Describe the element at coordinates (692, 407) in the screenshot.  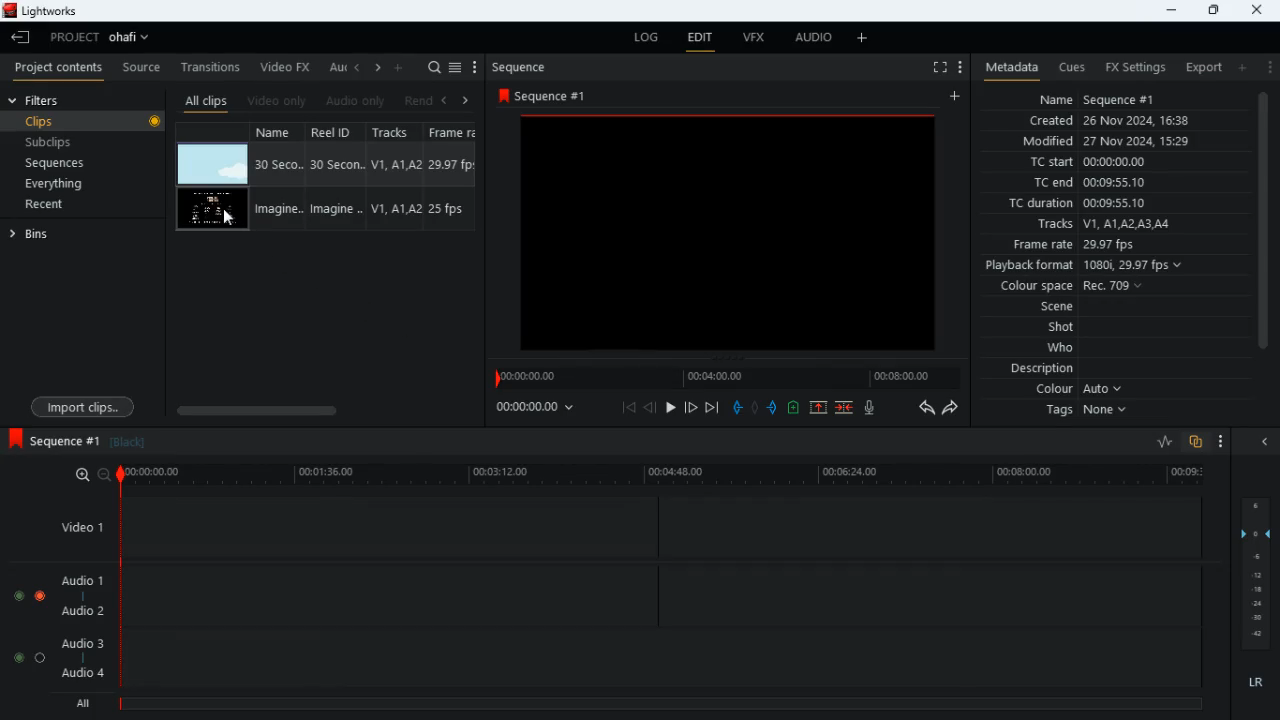
I see `front` at that location.